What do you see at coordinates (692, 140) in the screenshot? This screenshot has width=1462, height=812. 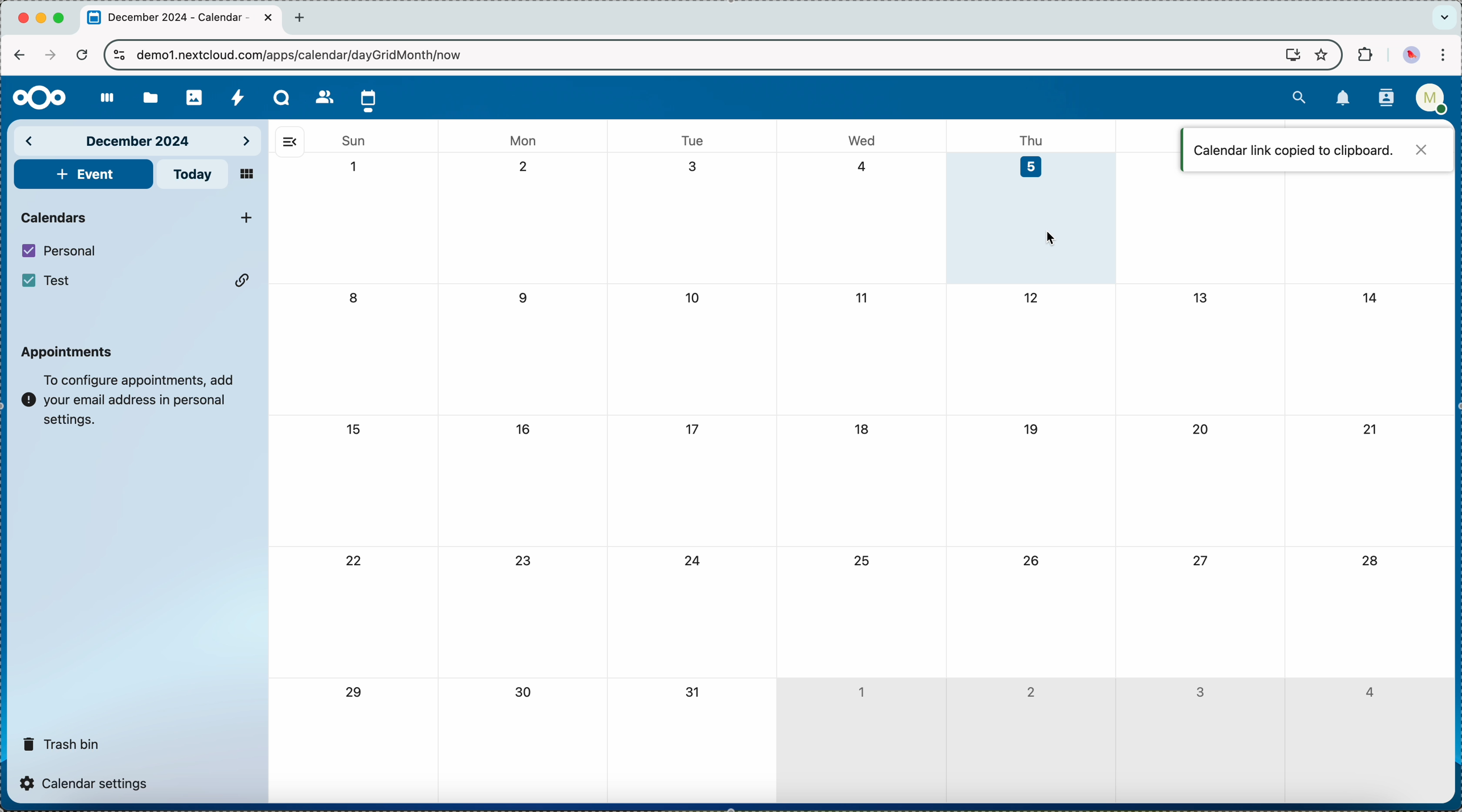 I see `tue` at bounding box center [692, 140].